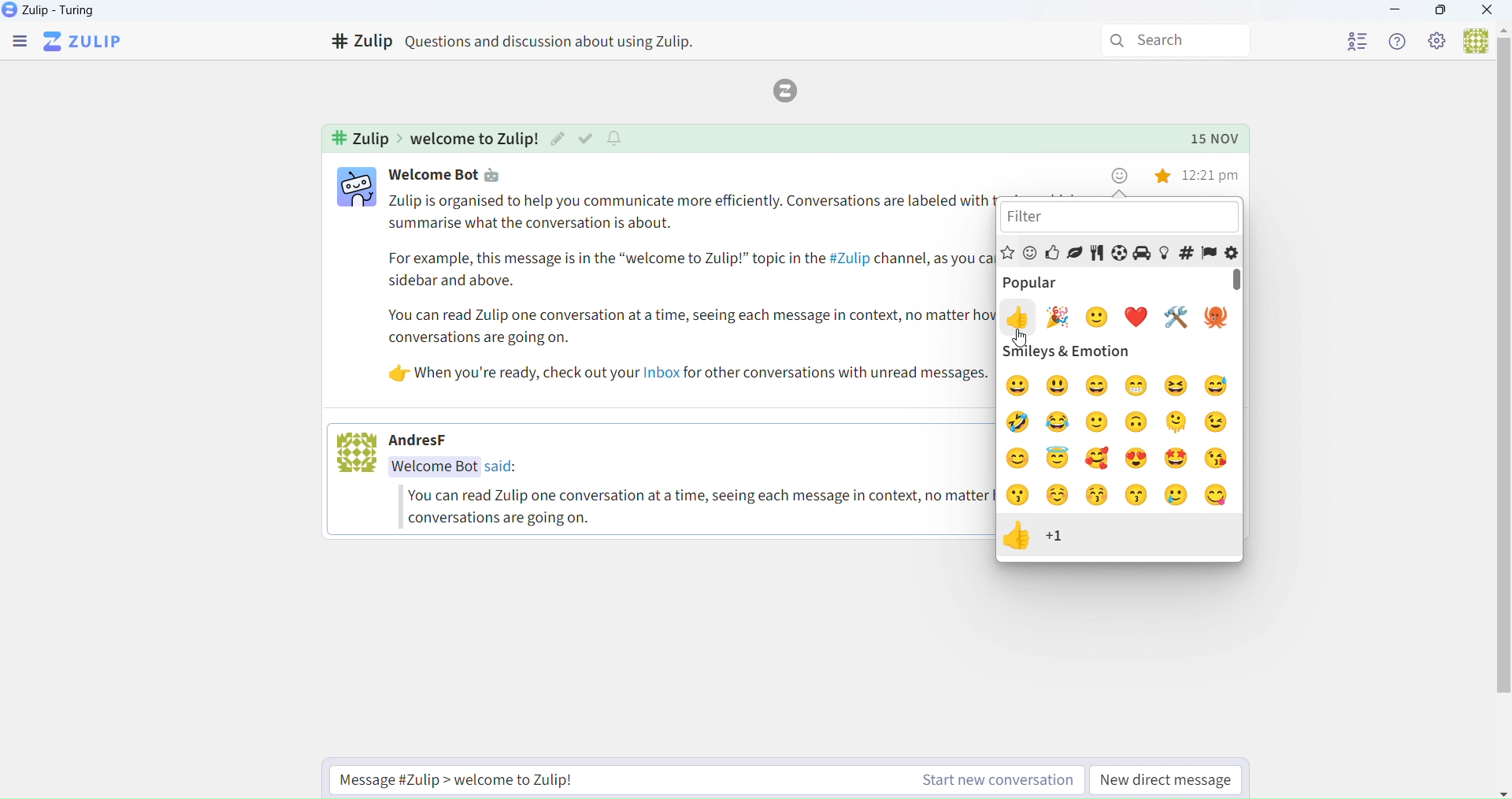 This screenshot has width=1512, height=799. Describe the element at coordinates (1137, 386) in the screenshot. I see `smile with teeth` at that location.